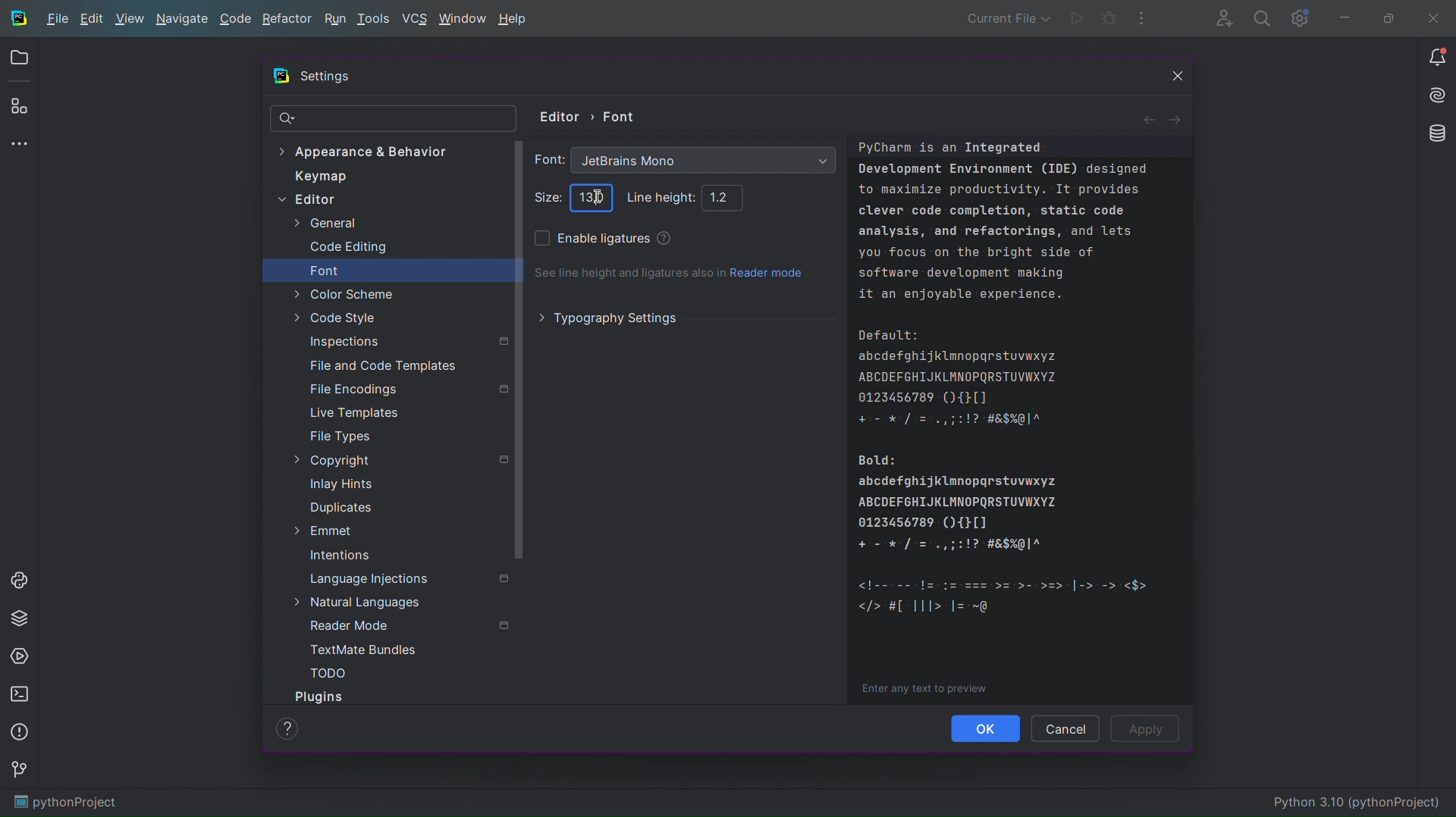  What do you see at coordinates (1142, 19) in the screenshot?
I see `More` at bounding box center [1142, 19].